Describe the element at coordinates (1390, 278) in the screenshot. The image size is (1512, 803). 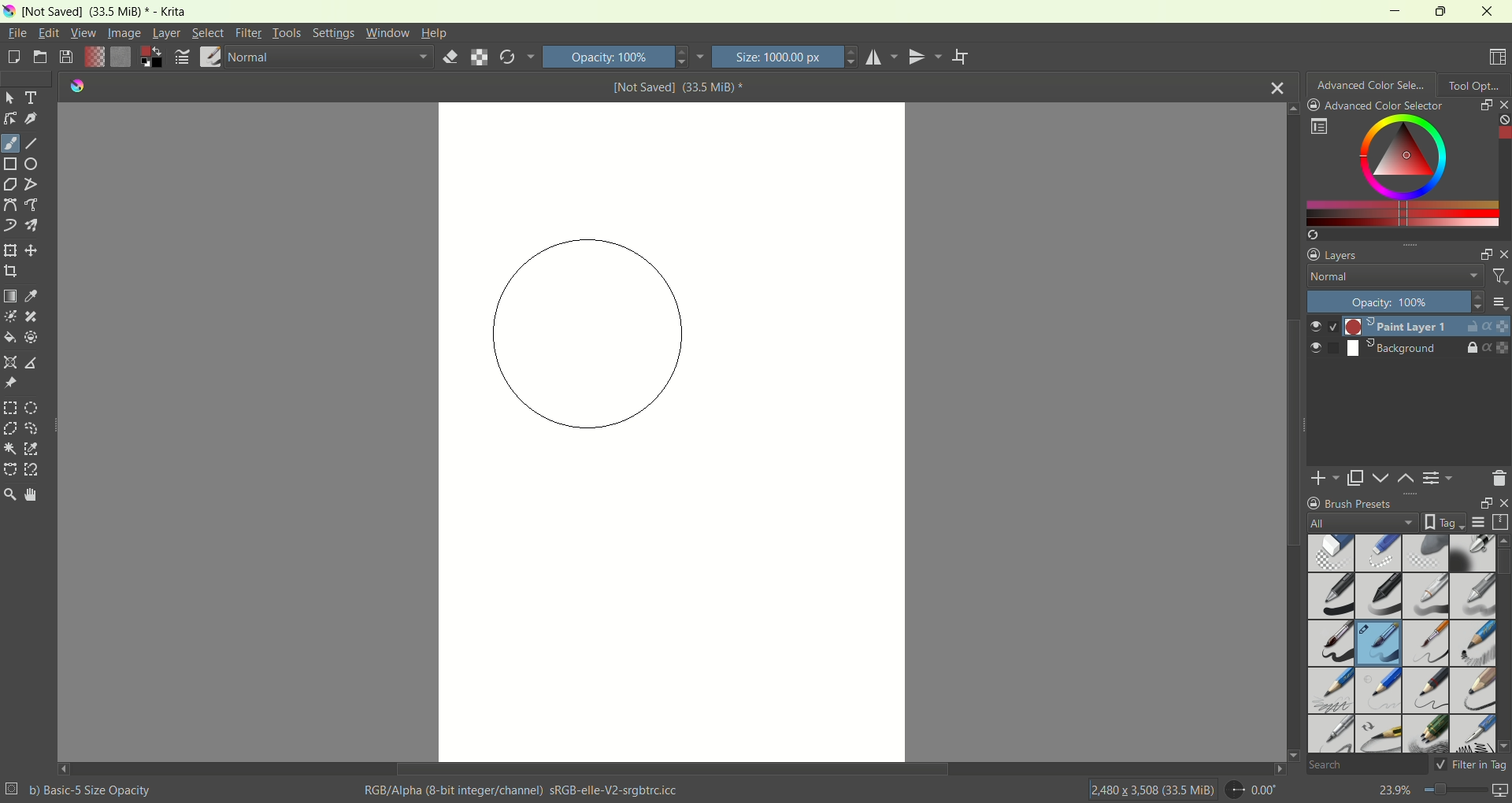
I see `normal` at that location.